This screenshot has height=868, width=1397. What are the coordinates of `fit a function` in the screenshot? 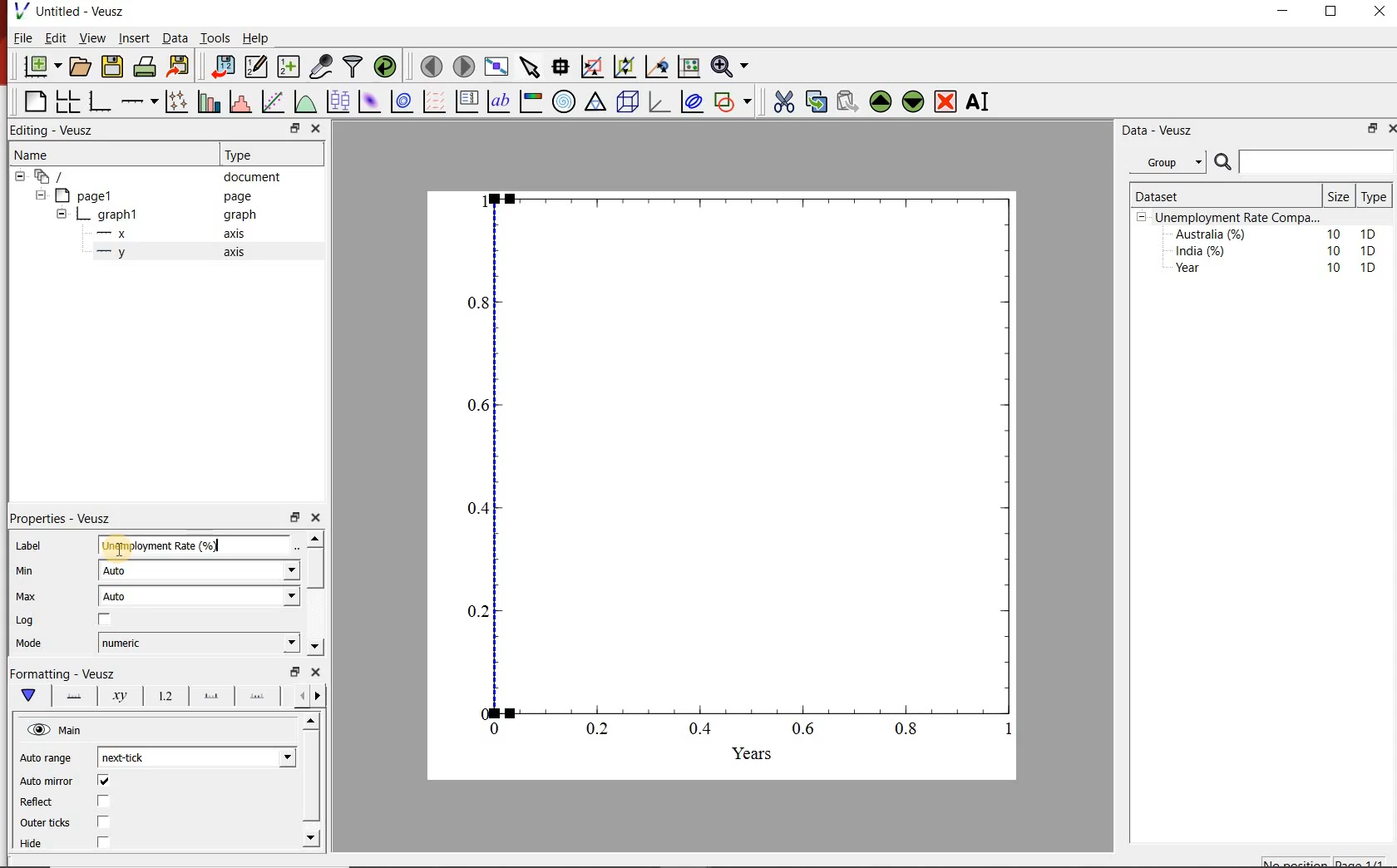 It's located at (272, 101).